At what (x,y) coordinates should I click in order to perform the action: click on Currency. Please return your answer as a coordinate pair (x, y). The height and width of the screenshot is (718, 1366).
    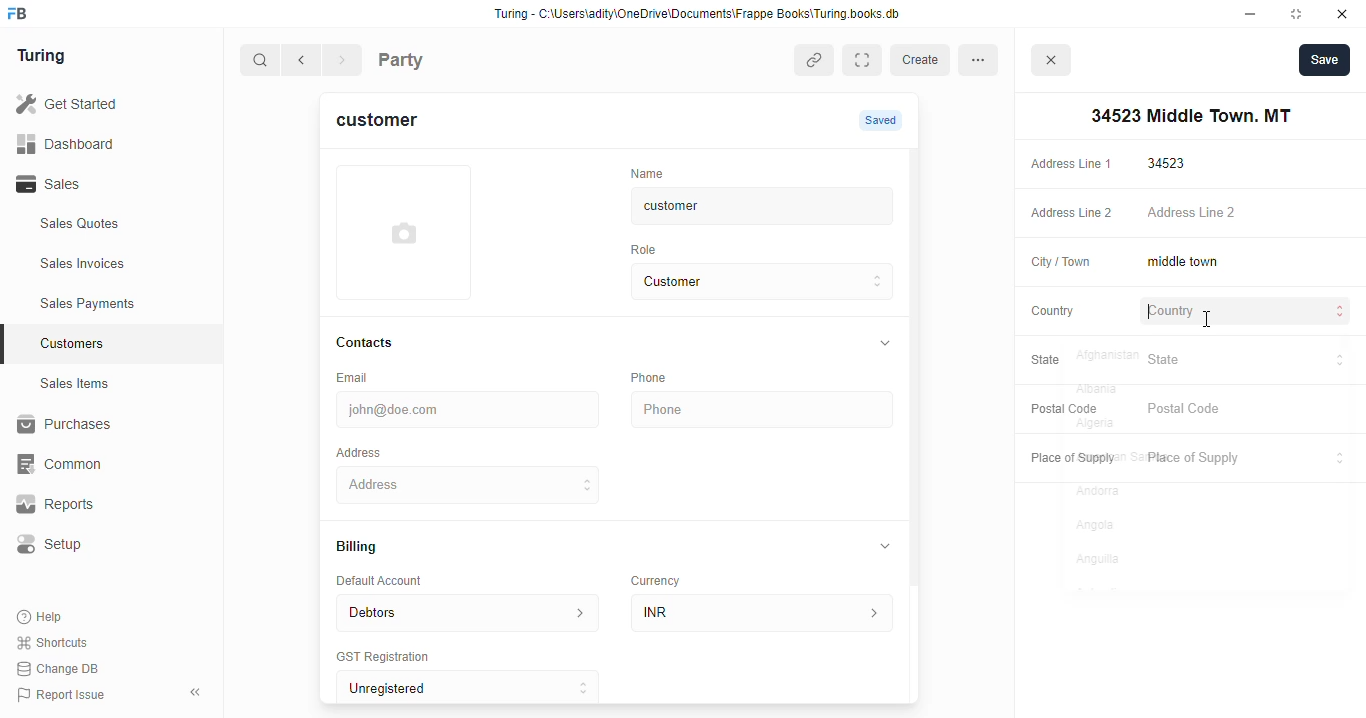
    Looking at the image, I should click on (664, 576).